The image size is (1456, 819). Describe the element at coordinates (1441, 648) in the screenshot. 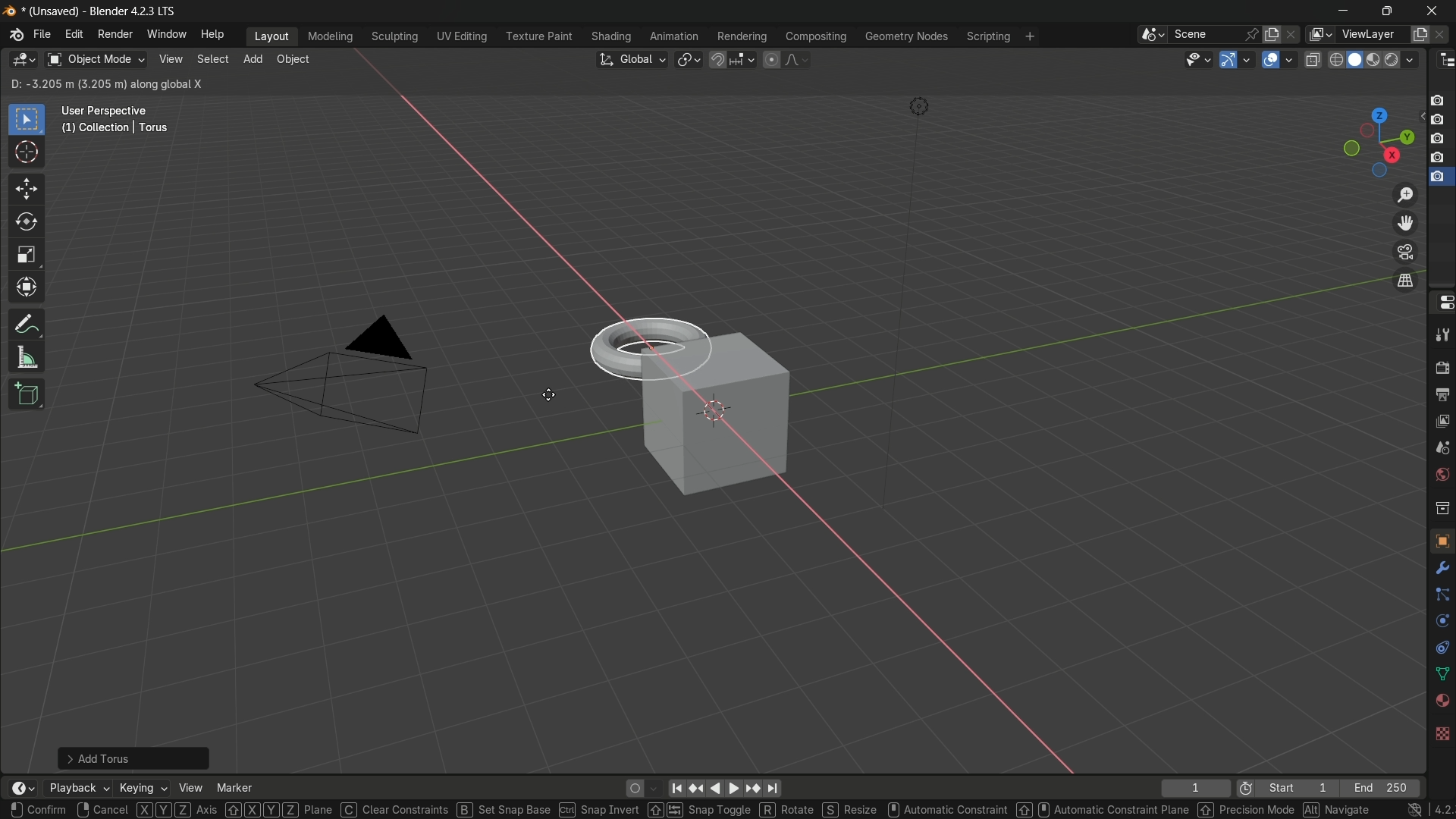

I see `constraints` at that location.